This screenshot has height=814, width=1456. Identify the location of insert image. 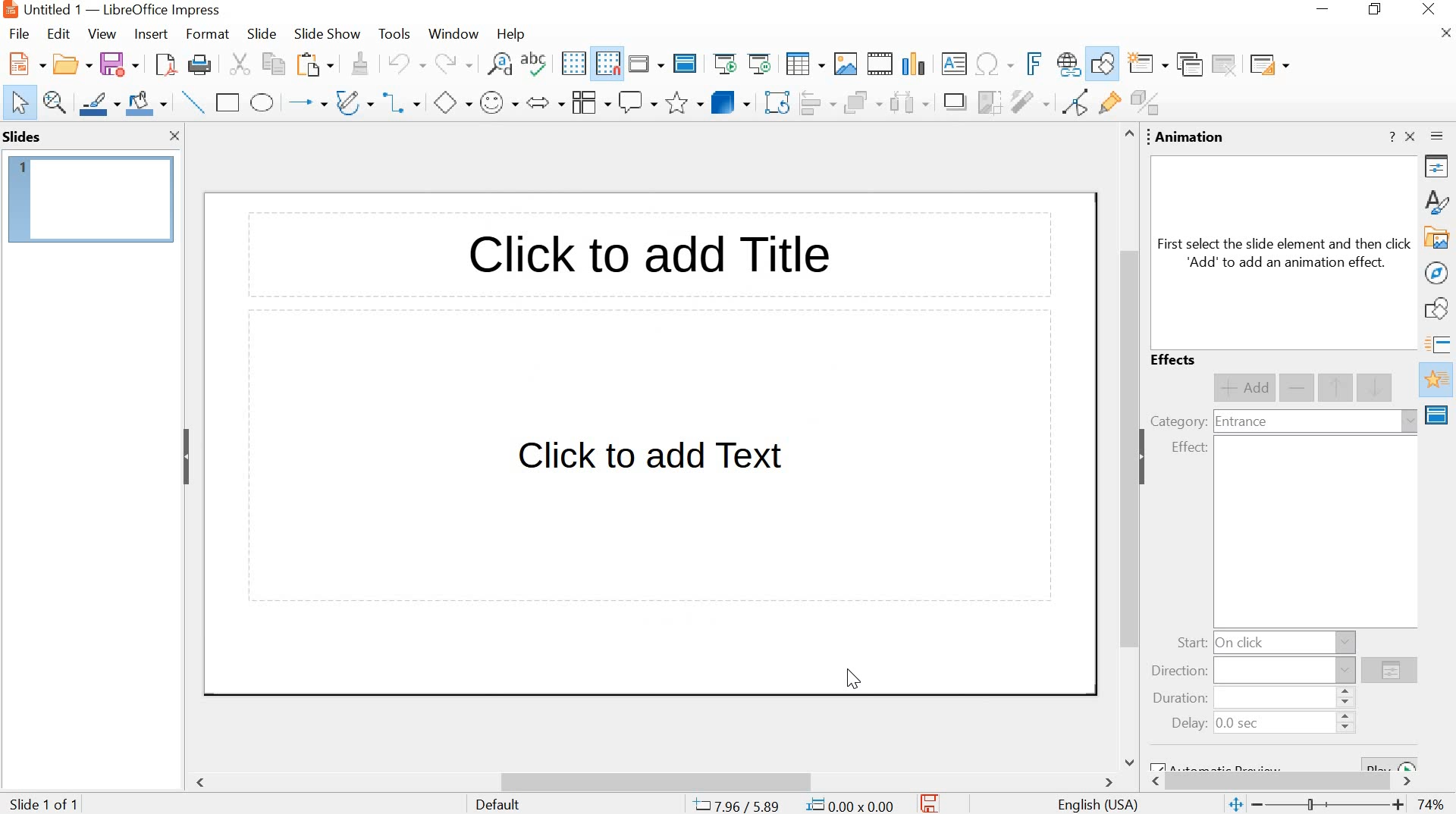
(845, 64).